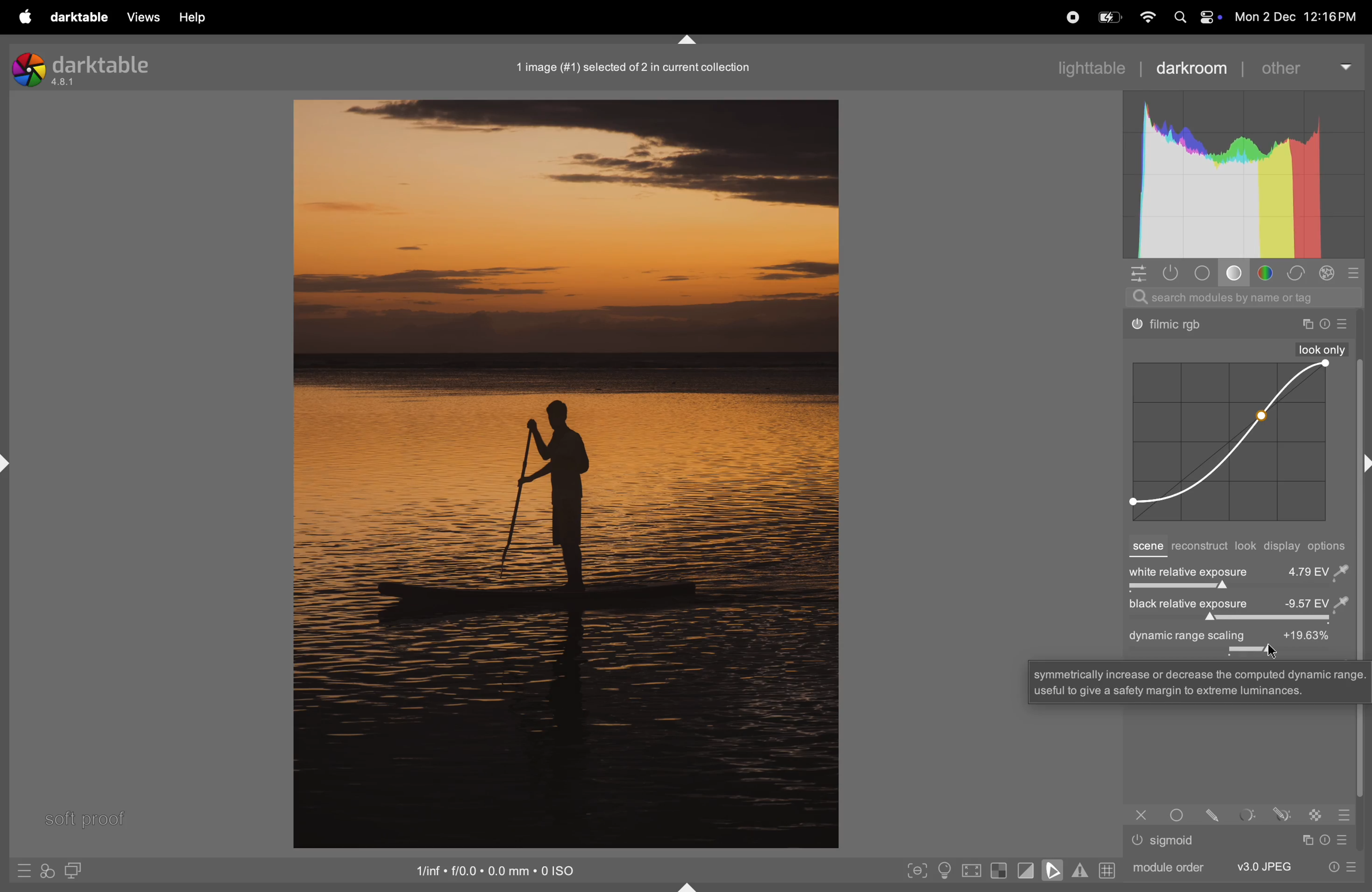 This screenshot has width=1372, height=892. What do you see at coordinates (1200, 681) in the screenshot?
I see `` at bounding box center [1200, 681].